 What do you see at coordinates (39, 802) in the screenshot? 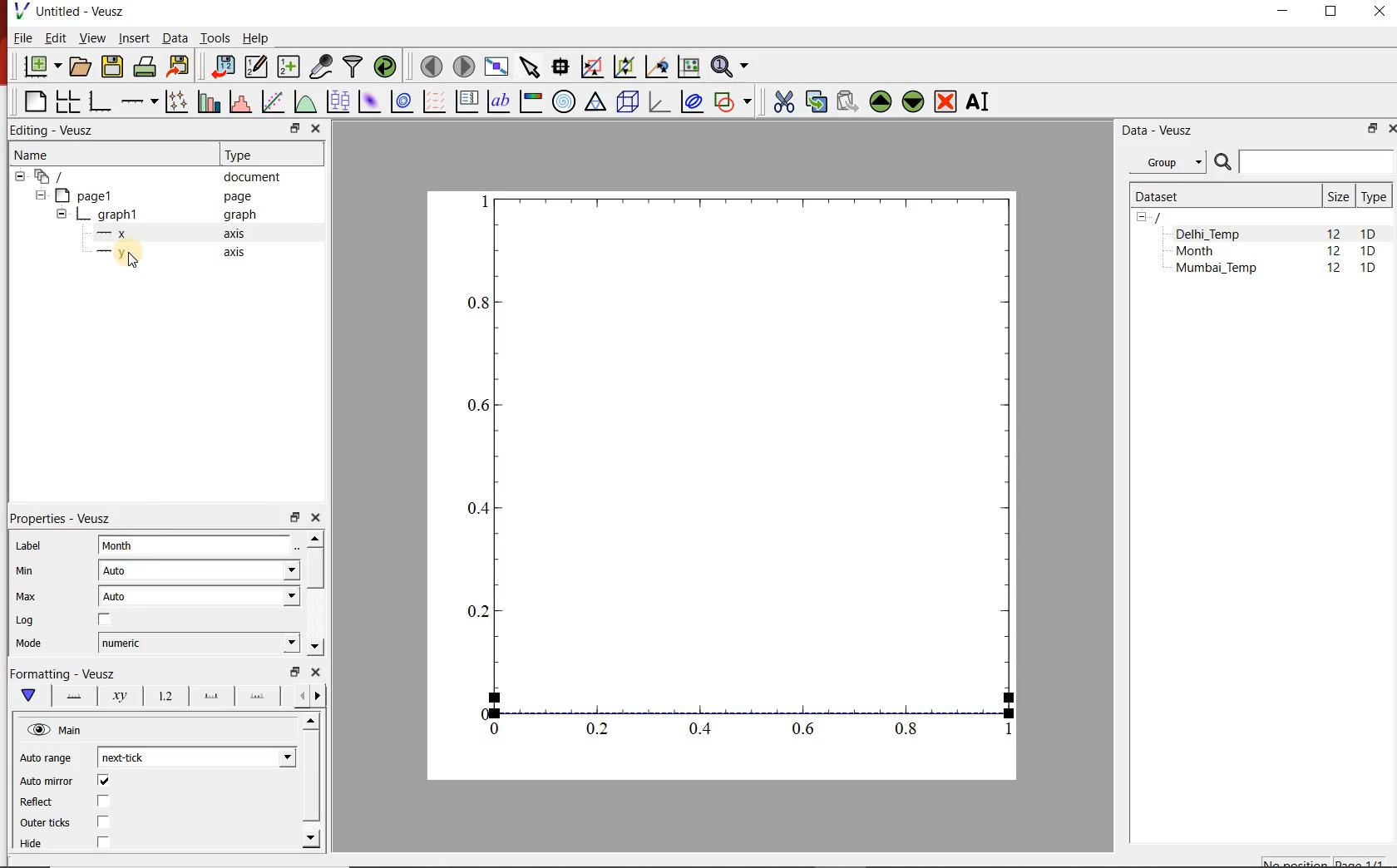
I see `Reflect` at bounding box center [39, 802].